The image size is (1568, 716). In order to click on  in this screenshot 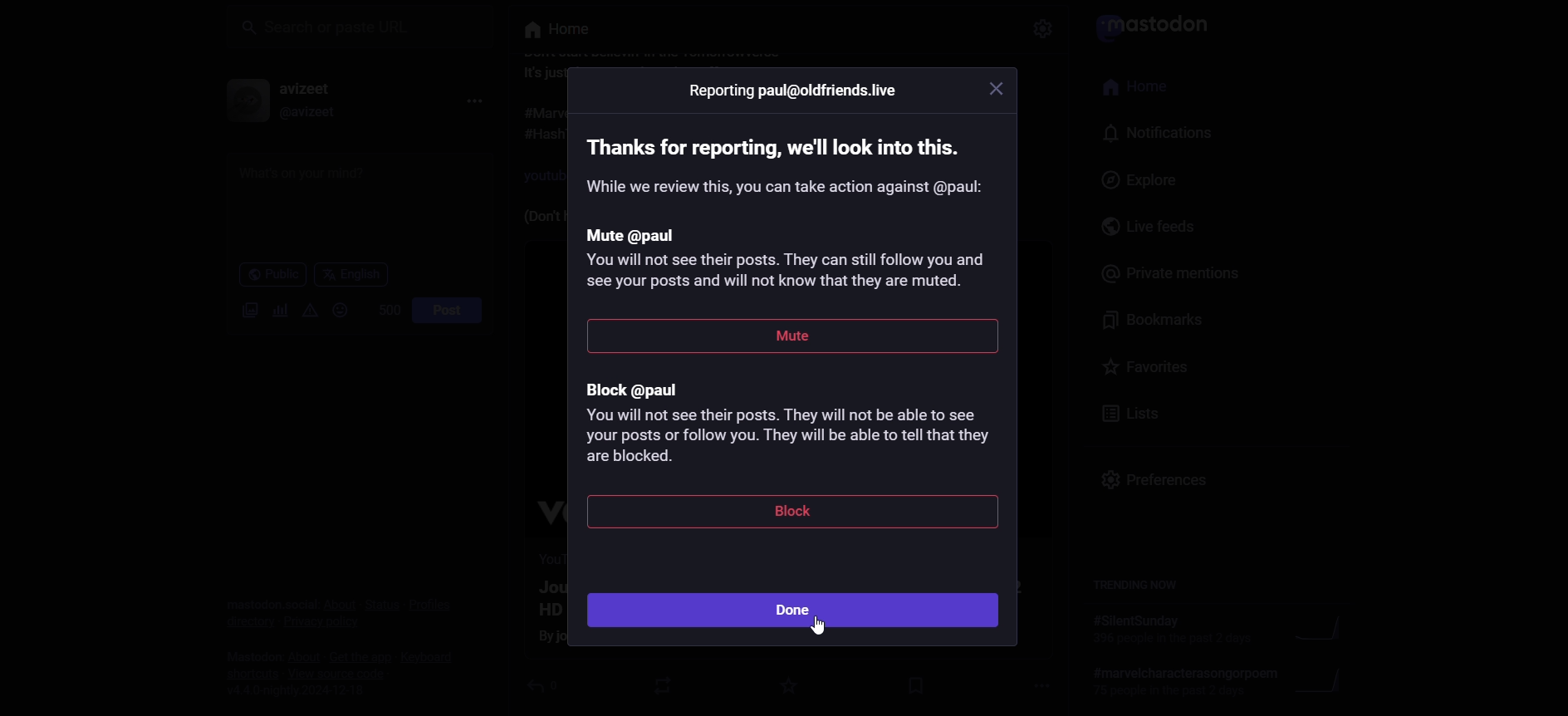, I will do `click(795, 512)`.